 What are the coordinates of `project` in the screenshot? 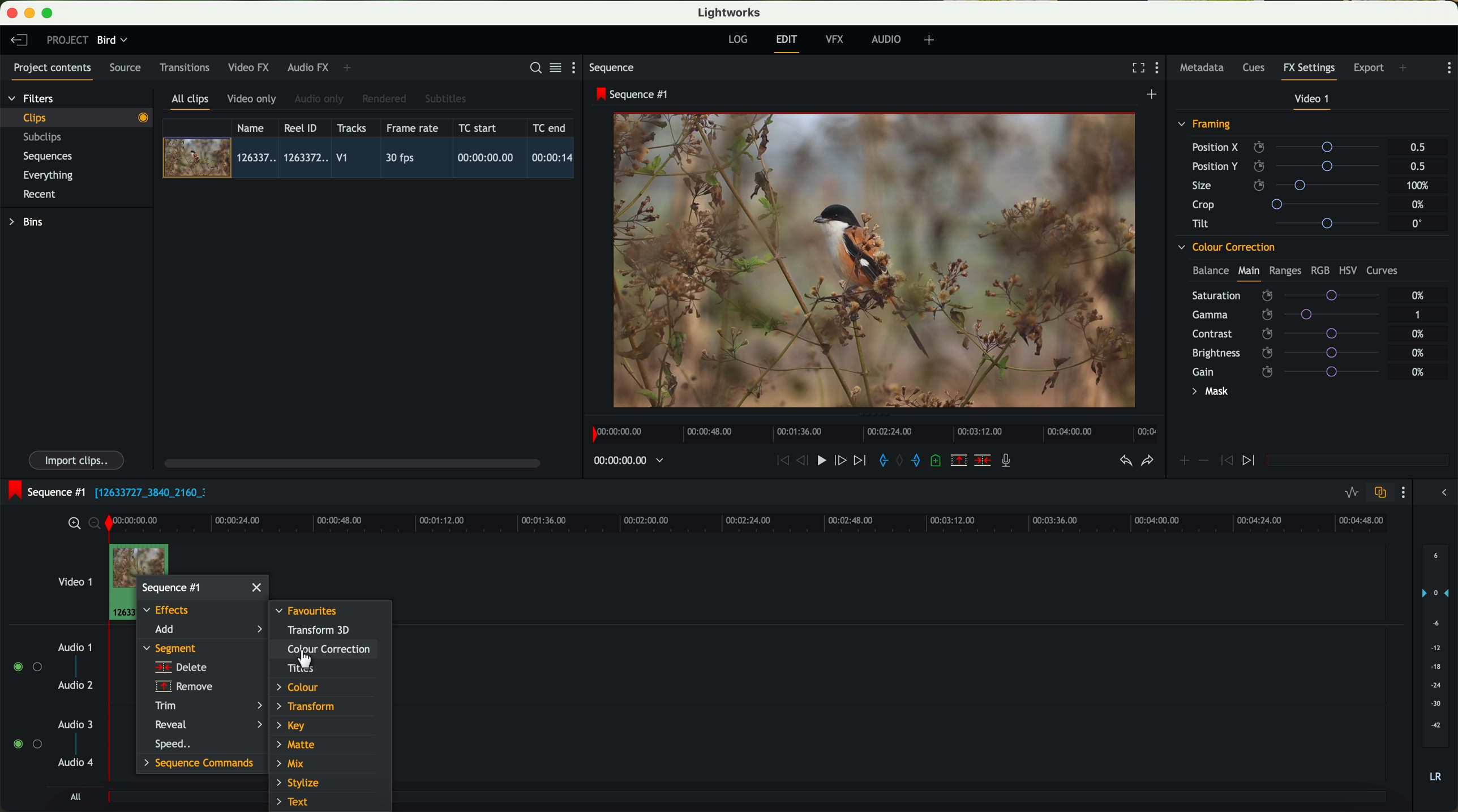 It's located at (67, 40).